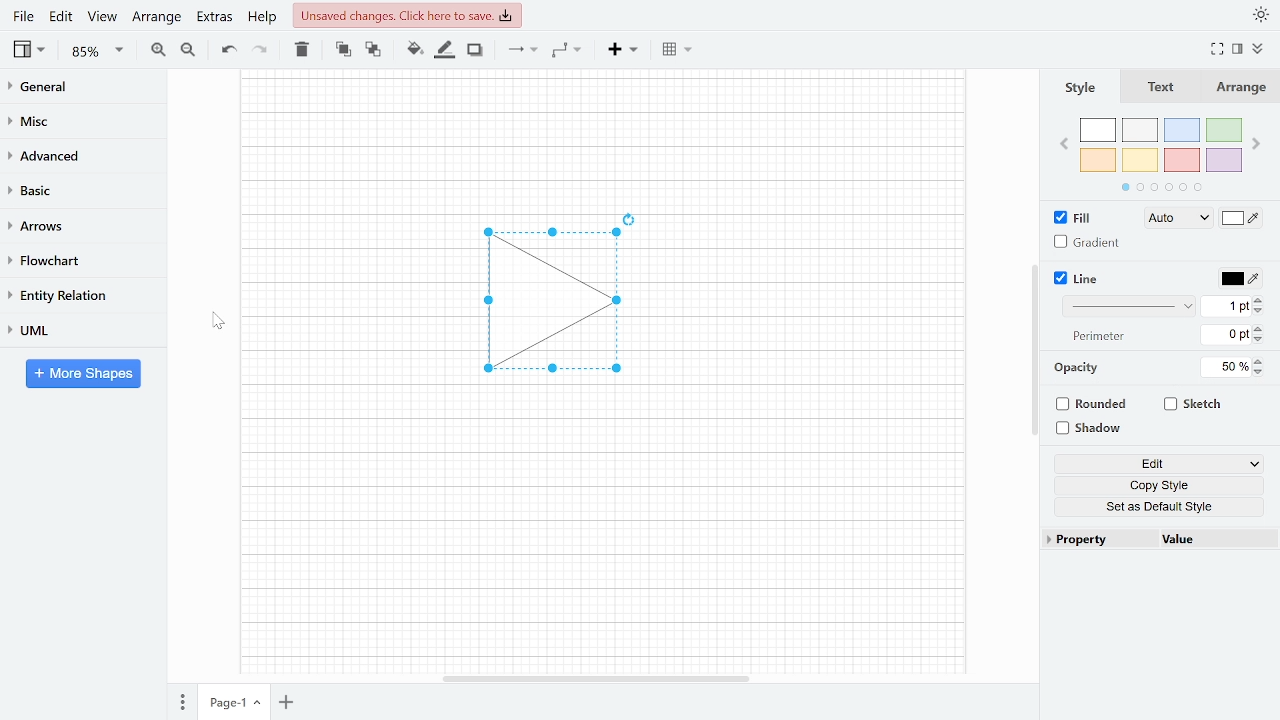  What do you see at coordinates (475, 50) in the screenshot?
I see `Shadow` at bounding box center [475, 50].